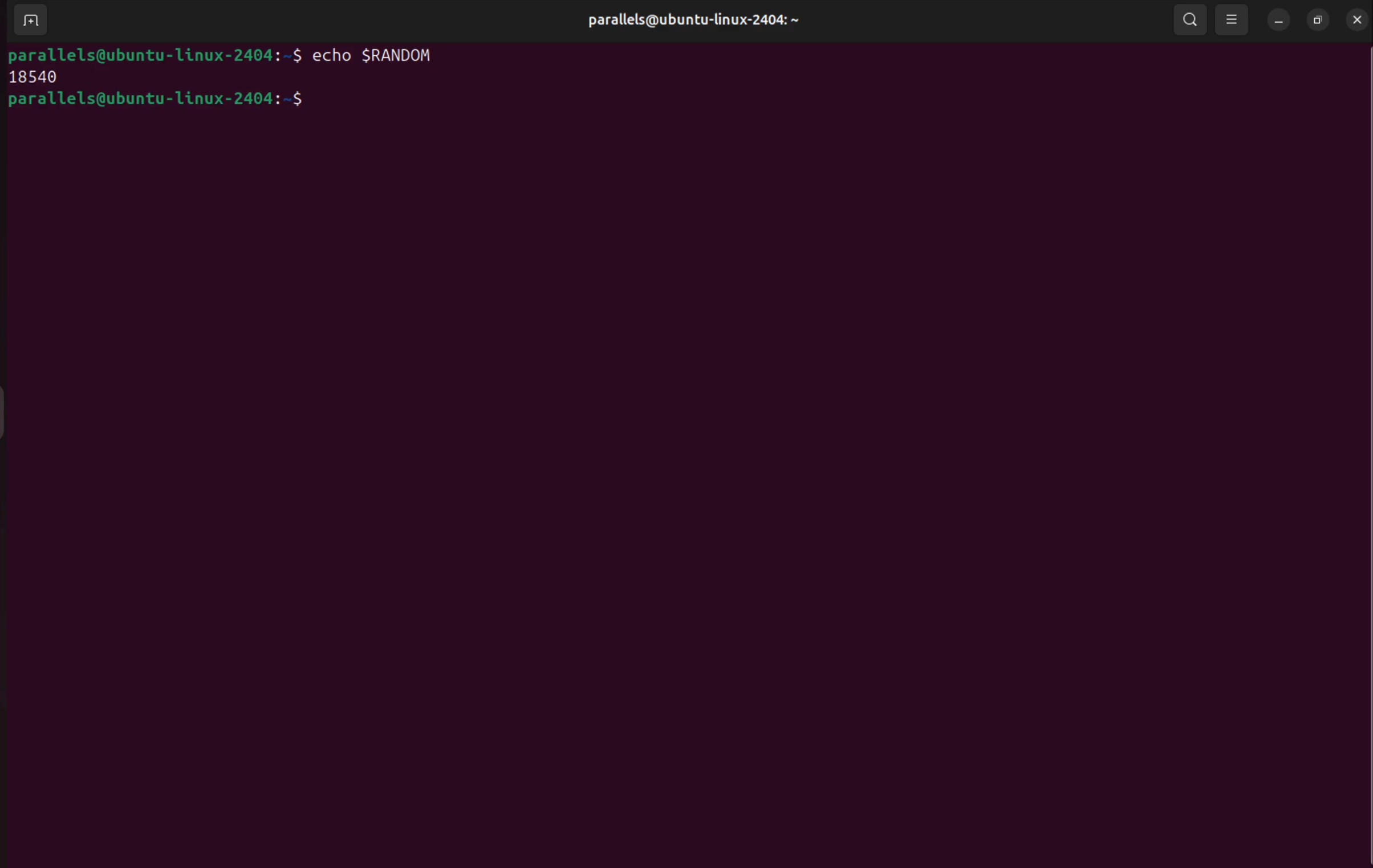 The height and width of the screenshot is (868, 1373). I want to click on view options, so click(1233, 22).